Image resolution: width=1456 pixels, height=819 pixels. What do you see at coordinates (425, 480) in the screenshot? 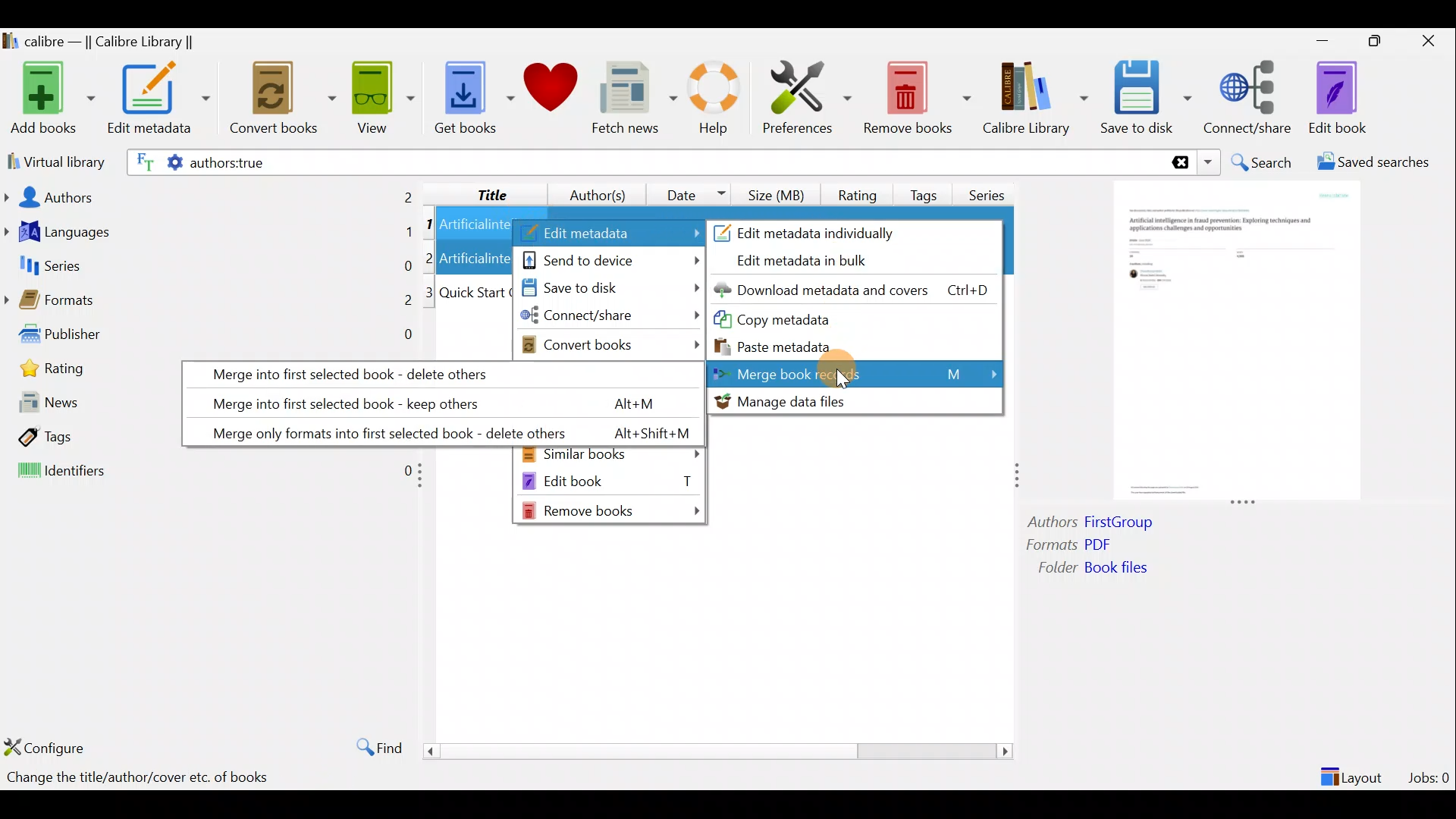
I see `Adjust column to the left` at bounding box center [425, 480].